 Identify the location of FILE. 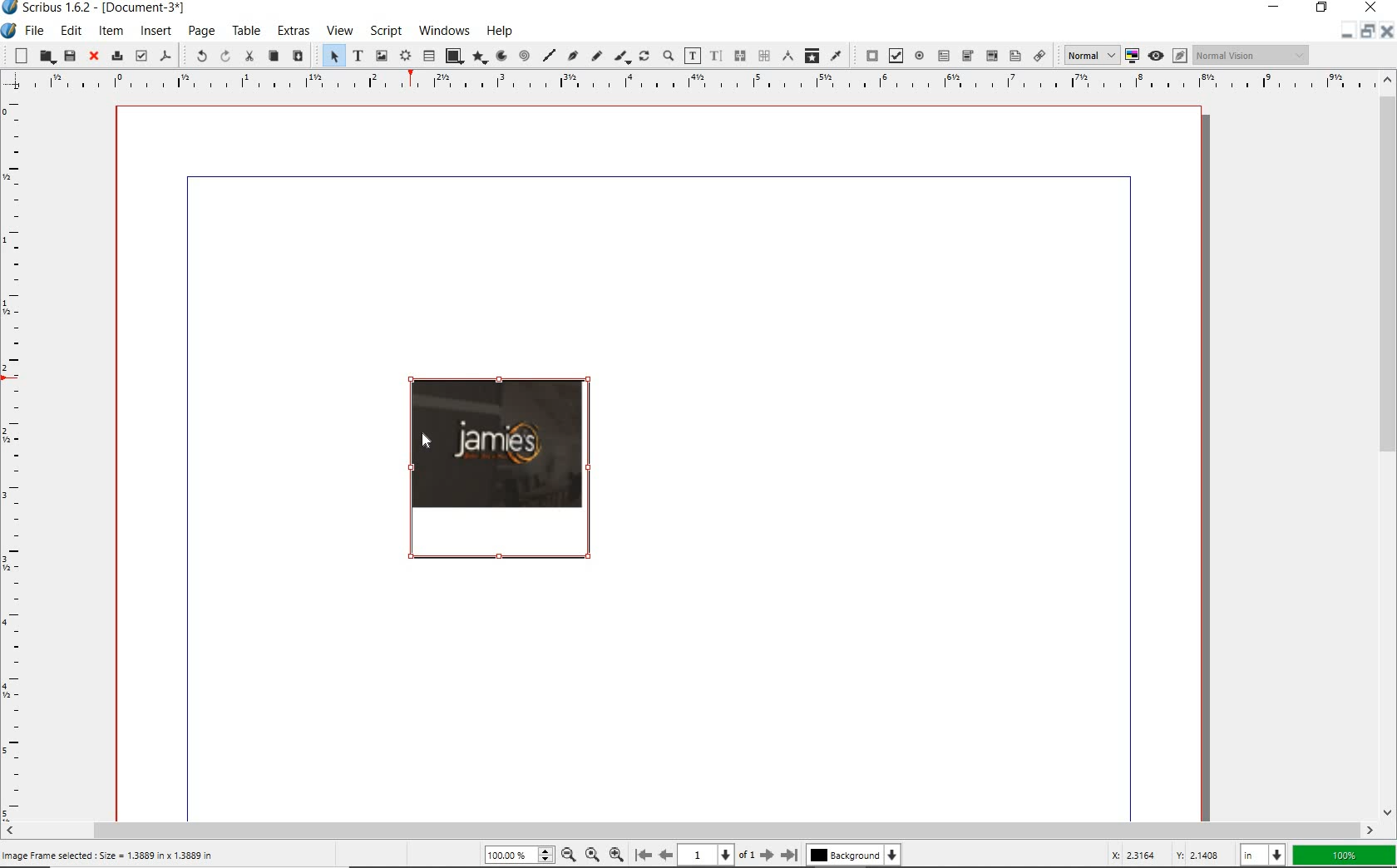
(37, 32).